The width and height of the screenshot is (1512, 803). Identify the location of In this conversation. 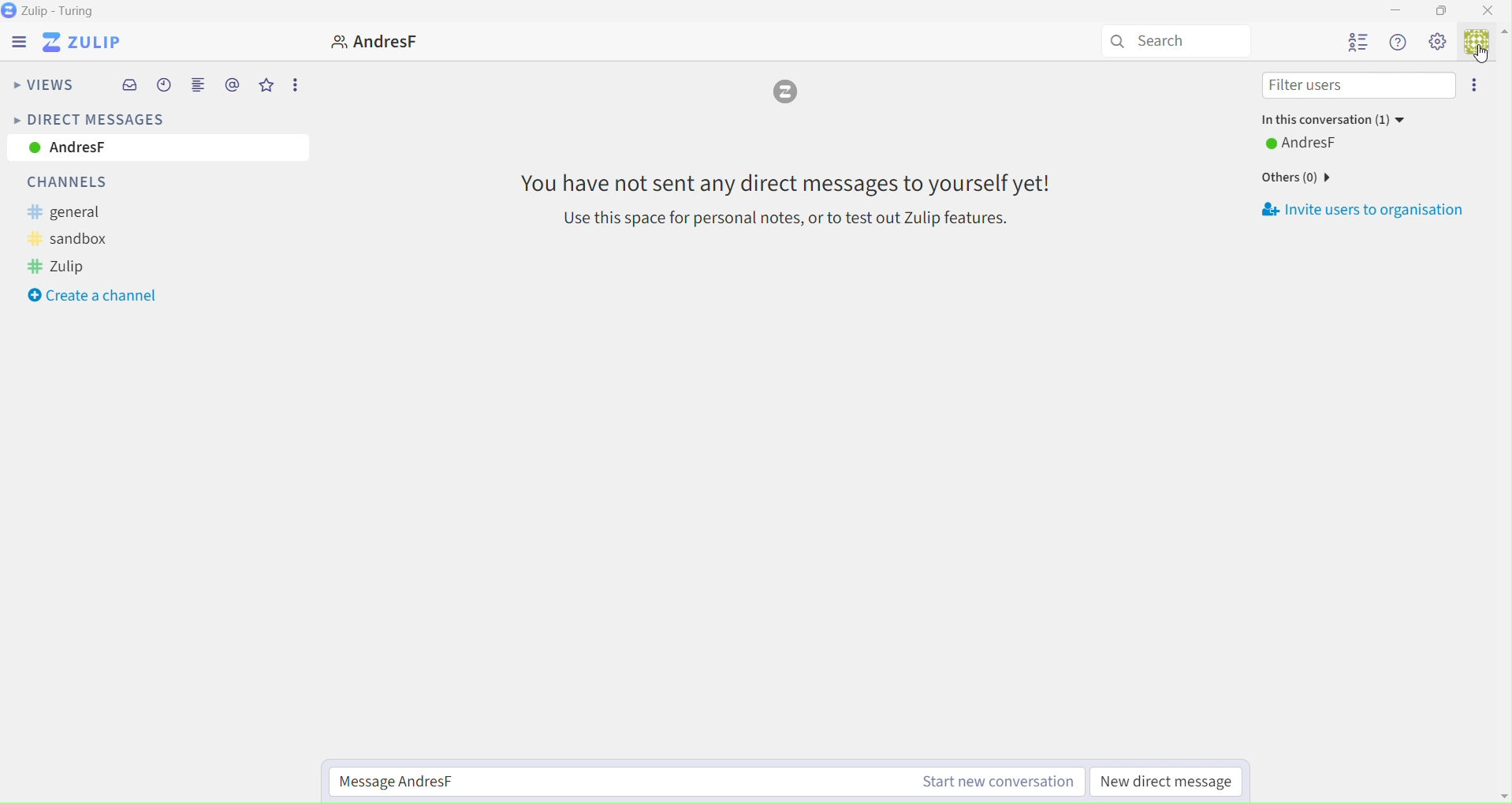
(1334, 121).